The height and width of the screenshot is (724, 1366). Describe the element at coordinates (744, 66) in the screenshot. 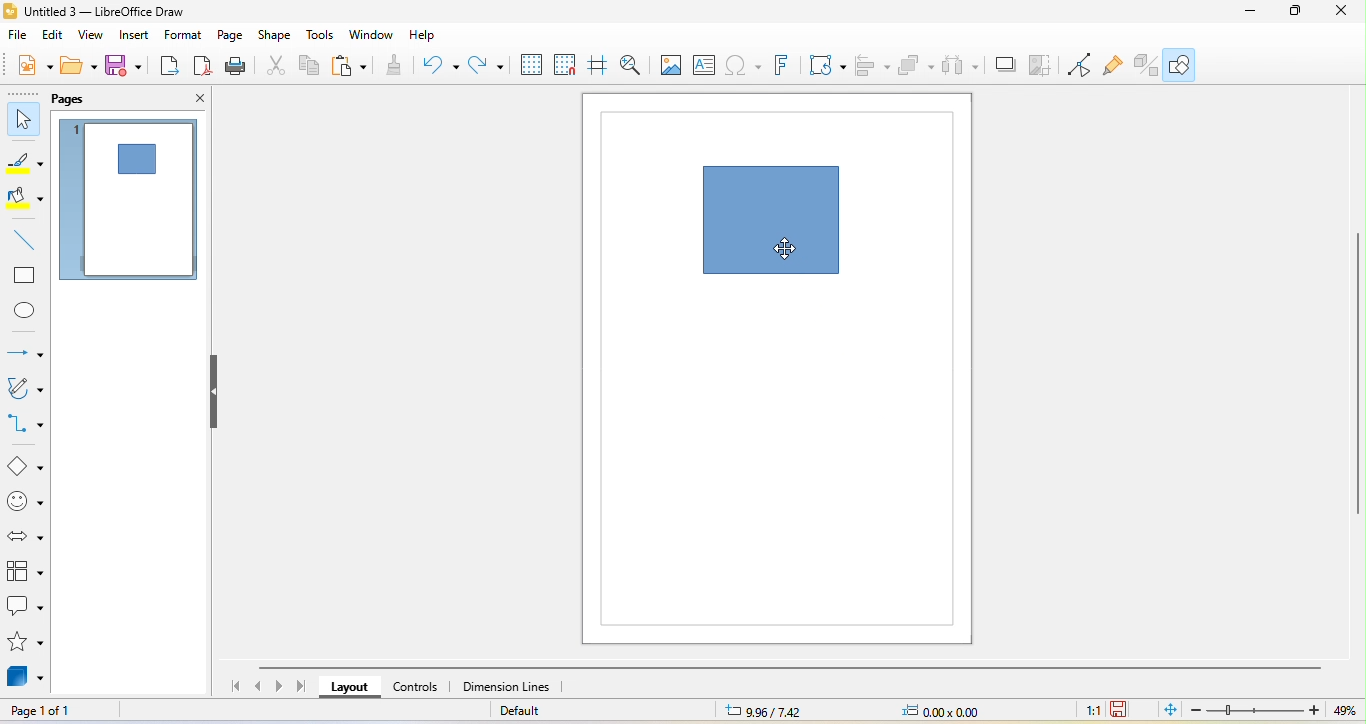

I see `special character` at that location.